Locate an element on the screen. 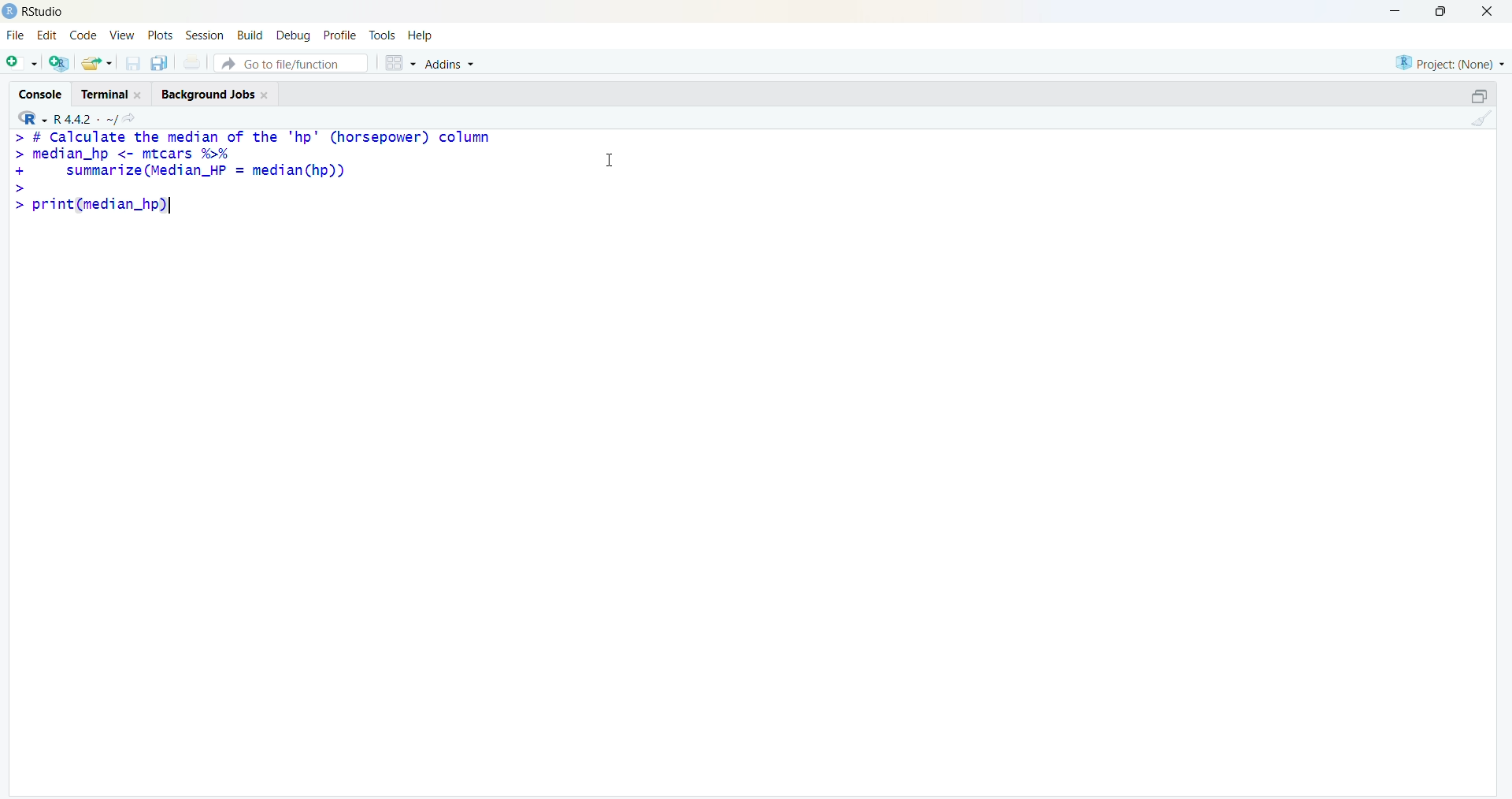 This screenshot has width=1512, height=799. print is located at coordinates (192, 63).